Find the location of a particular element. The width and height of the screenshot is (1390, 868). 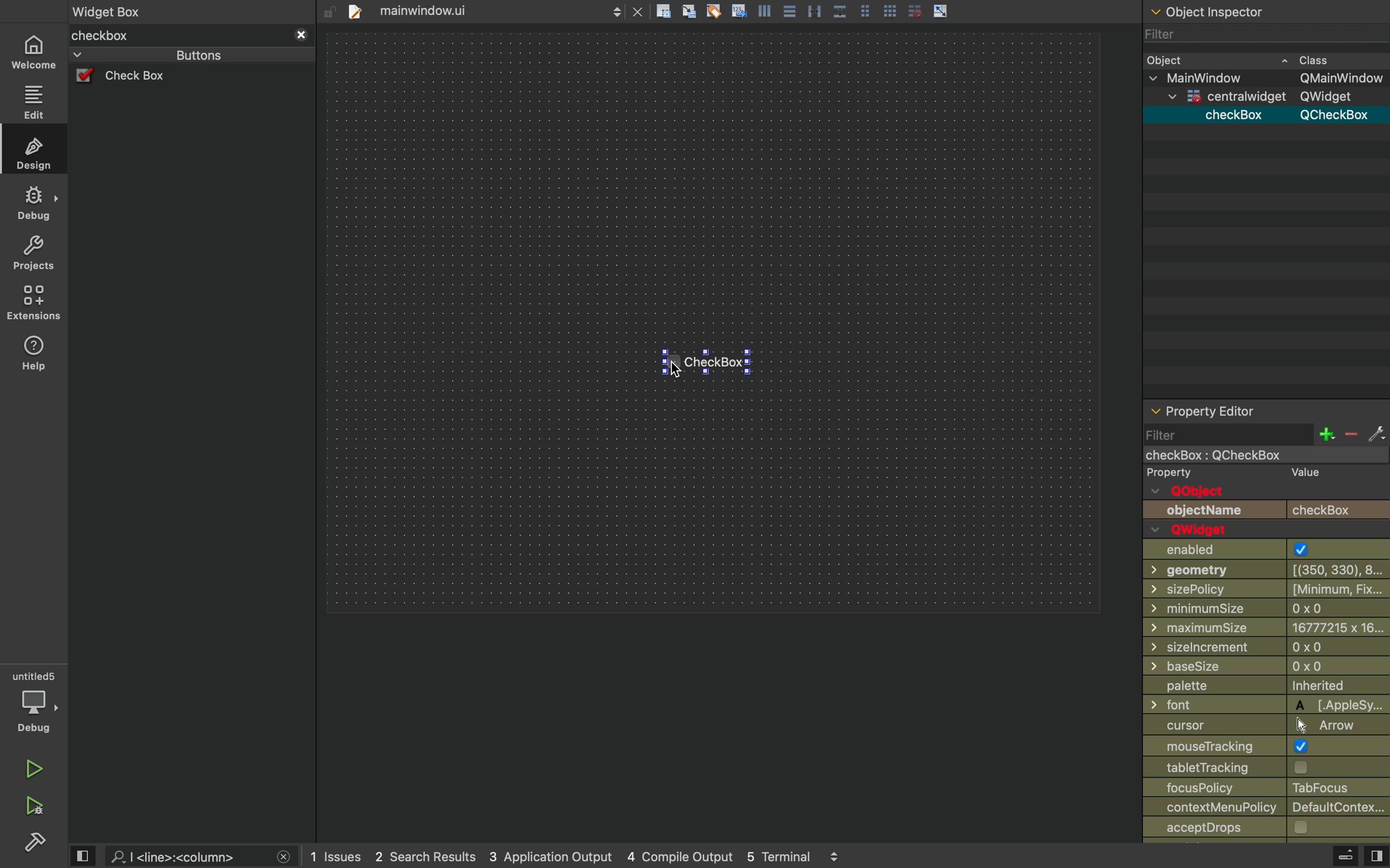

enabled is located at coordinates (1257, 550).